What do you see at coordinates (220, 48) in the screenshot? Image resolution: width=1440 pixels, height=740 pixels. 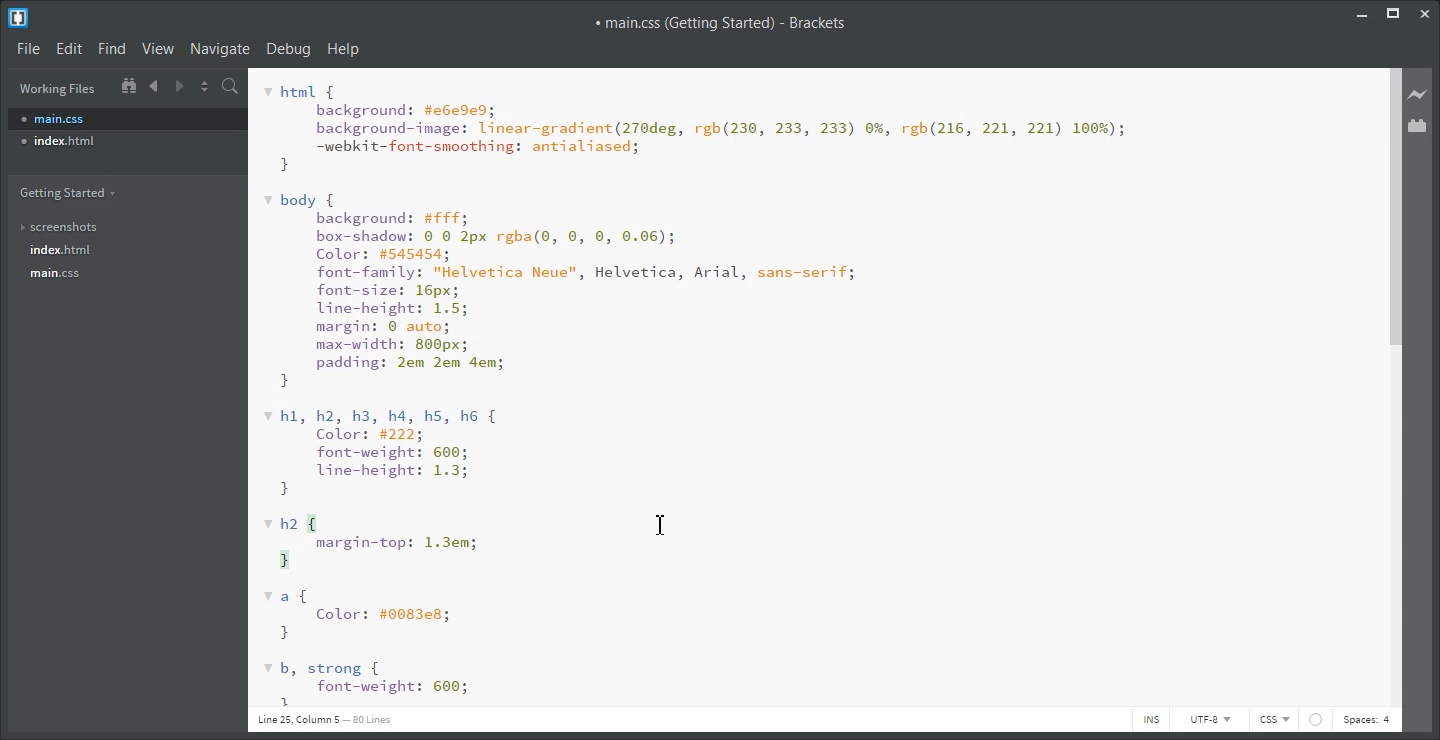 I see `Navigate` at bounding box center [220, 48].